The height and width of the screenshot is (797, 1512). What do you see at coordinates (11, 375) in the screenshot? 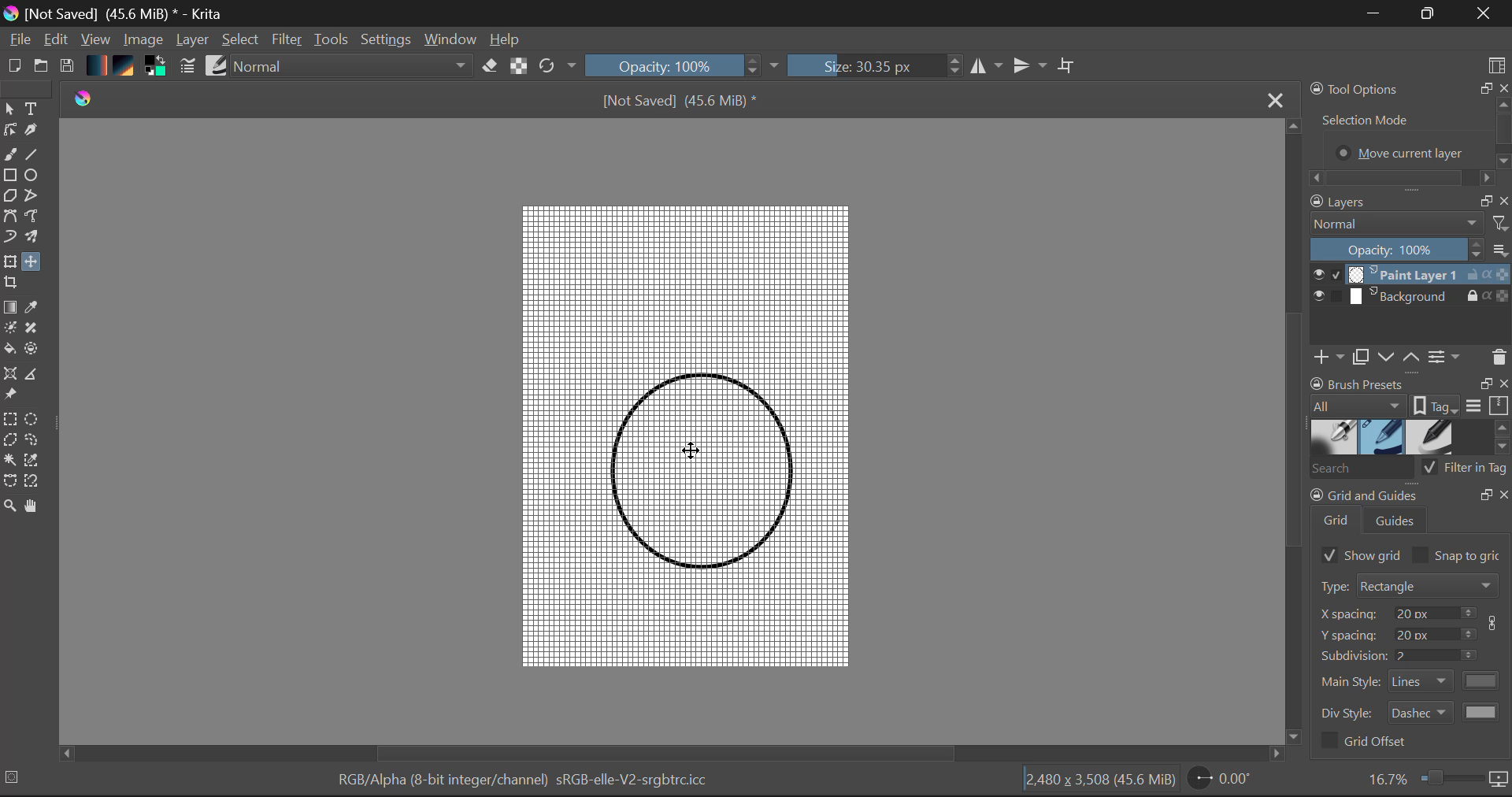
I see `Assistant Tool` at bounding box center [11, 375].